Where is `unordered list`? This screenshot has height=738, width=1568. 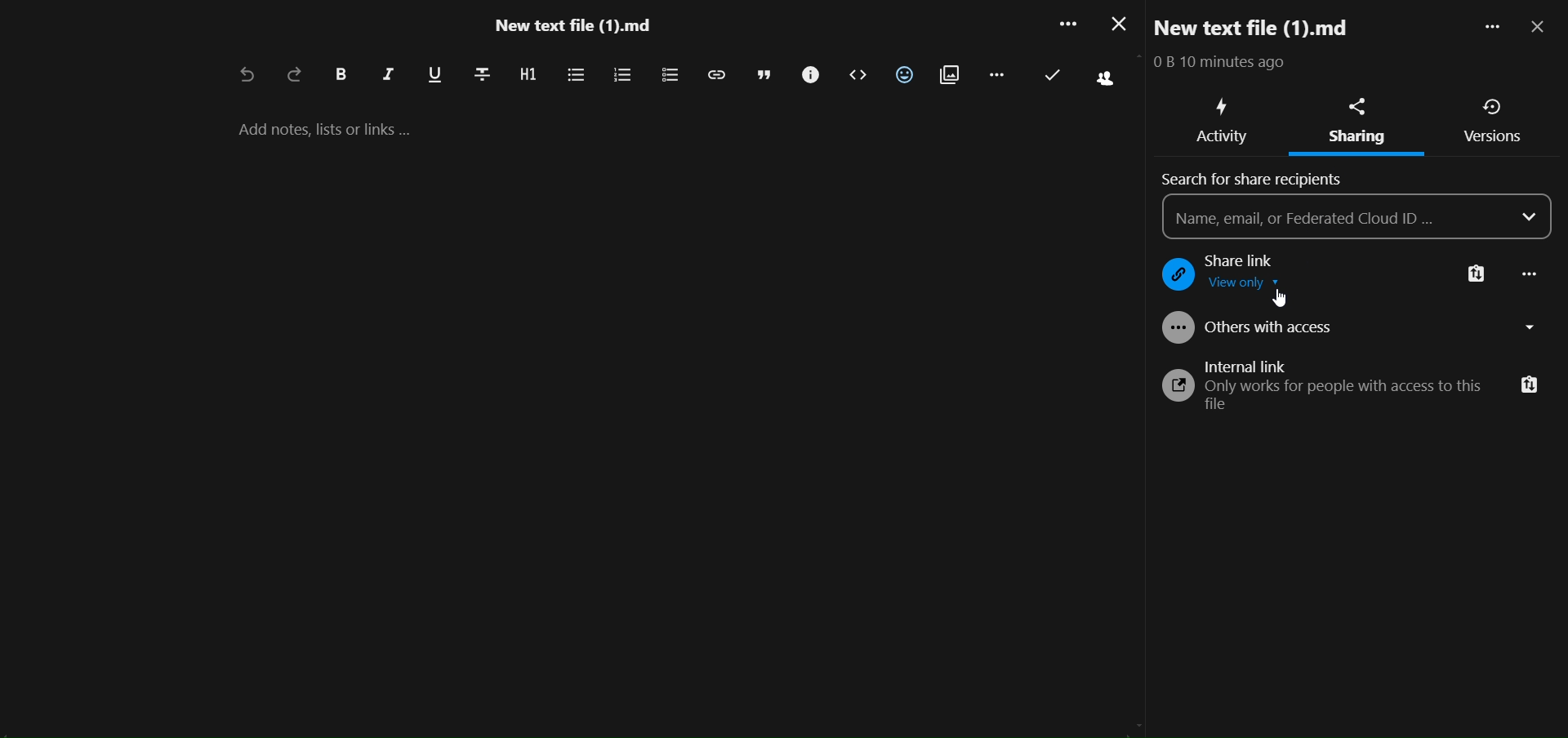 unordered list is located at coordinates (574, 75).